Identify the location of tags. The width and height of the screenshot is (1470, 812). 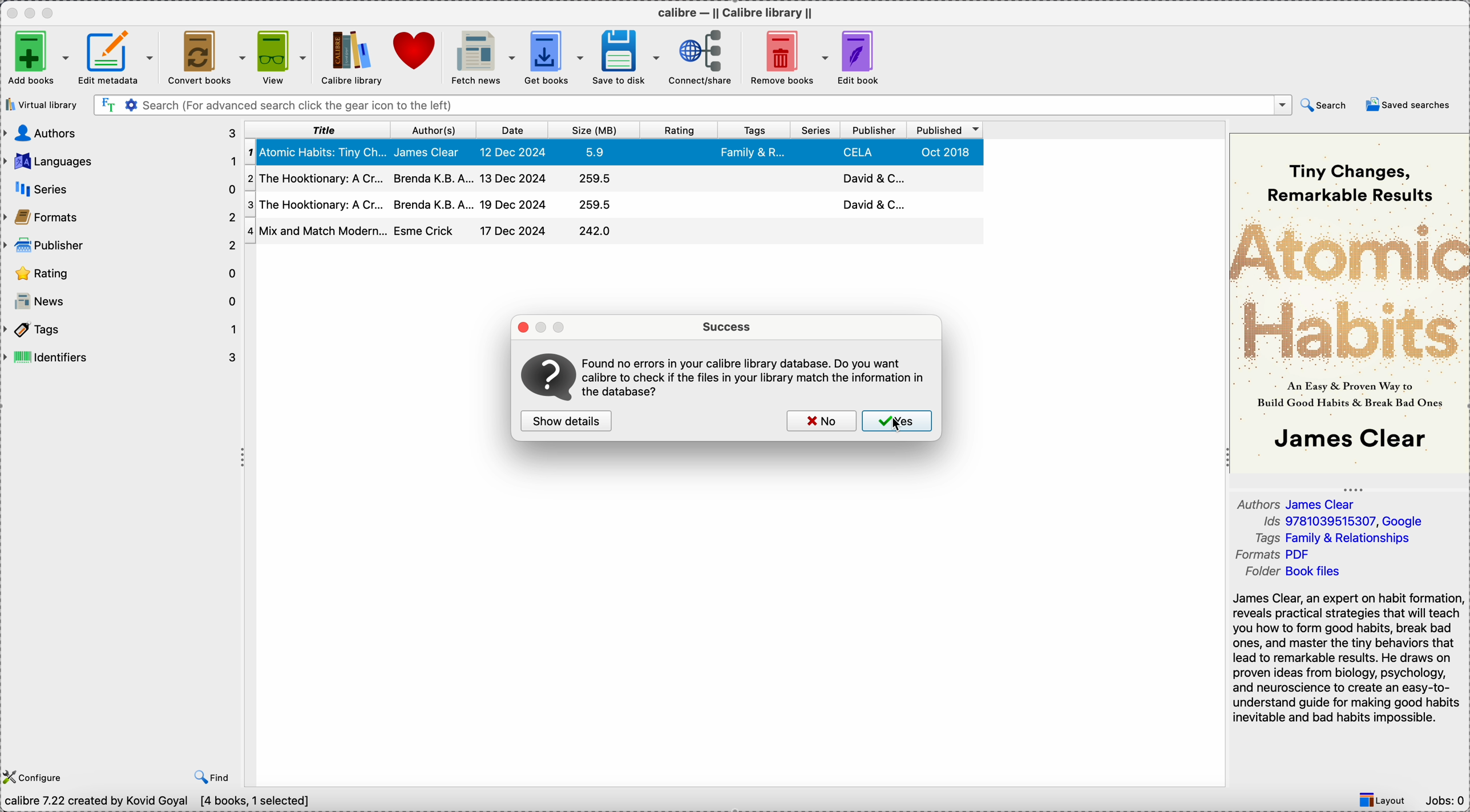
(1340, 538).